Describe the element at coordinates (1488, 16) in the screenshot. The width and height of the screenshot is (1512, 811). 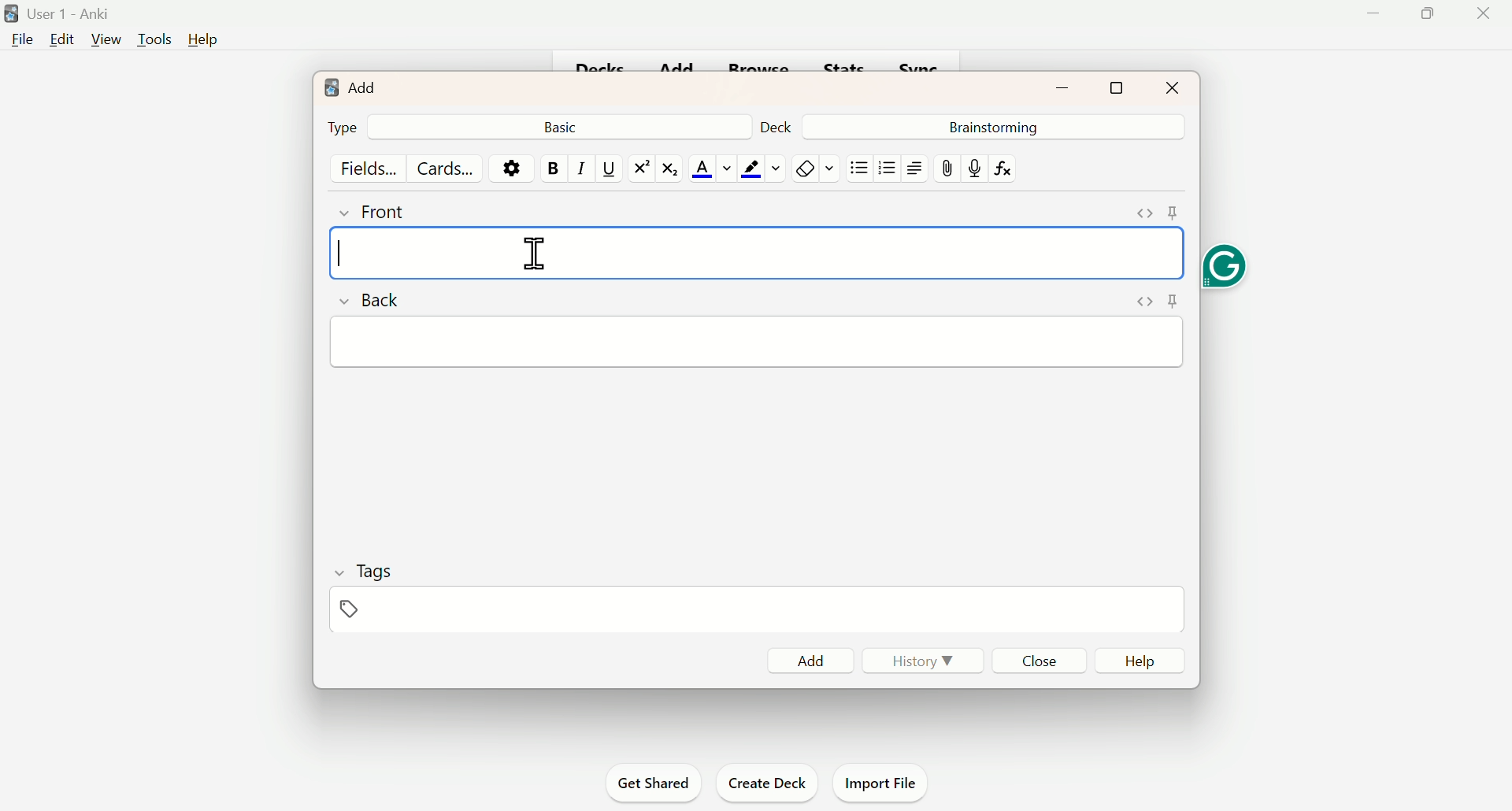
I see `` at that location.